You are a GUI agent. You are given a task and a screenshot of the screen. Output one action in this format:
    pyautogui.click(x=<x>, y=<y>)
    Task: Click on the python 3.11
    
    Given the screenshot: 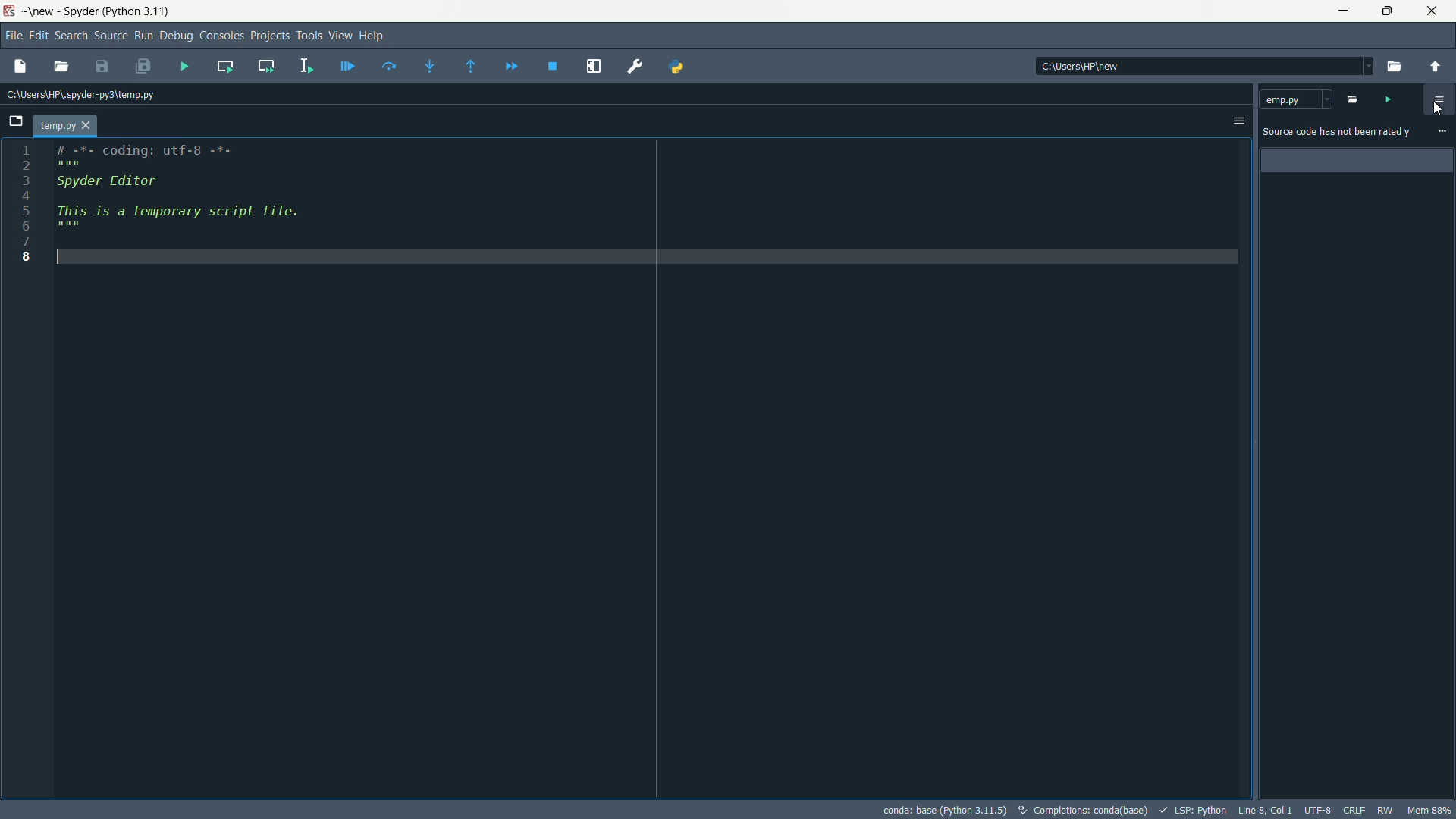 What is the action you would take?
    pyautogui.click(x=140, y=12)
    